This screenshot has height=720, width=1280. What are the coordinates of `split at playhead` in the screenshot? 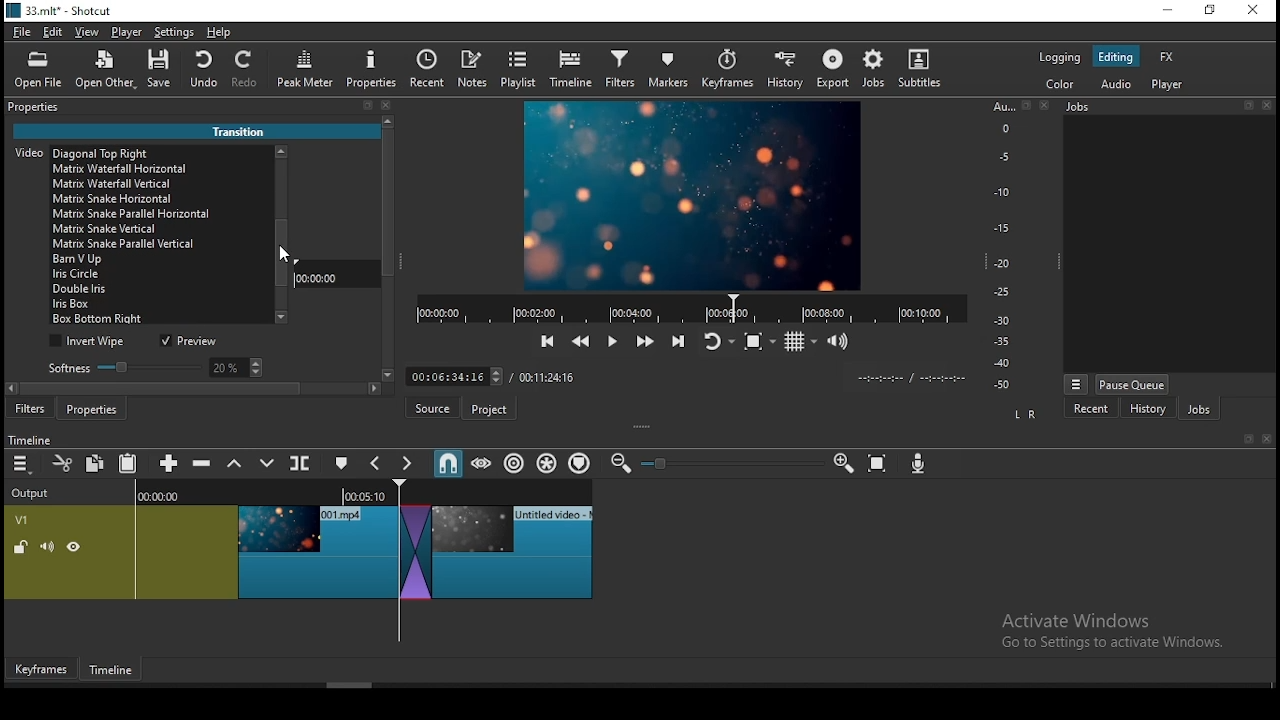 It's located at (433, 71).